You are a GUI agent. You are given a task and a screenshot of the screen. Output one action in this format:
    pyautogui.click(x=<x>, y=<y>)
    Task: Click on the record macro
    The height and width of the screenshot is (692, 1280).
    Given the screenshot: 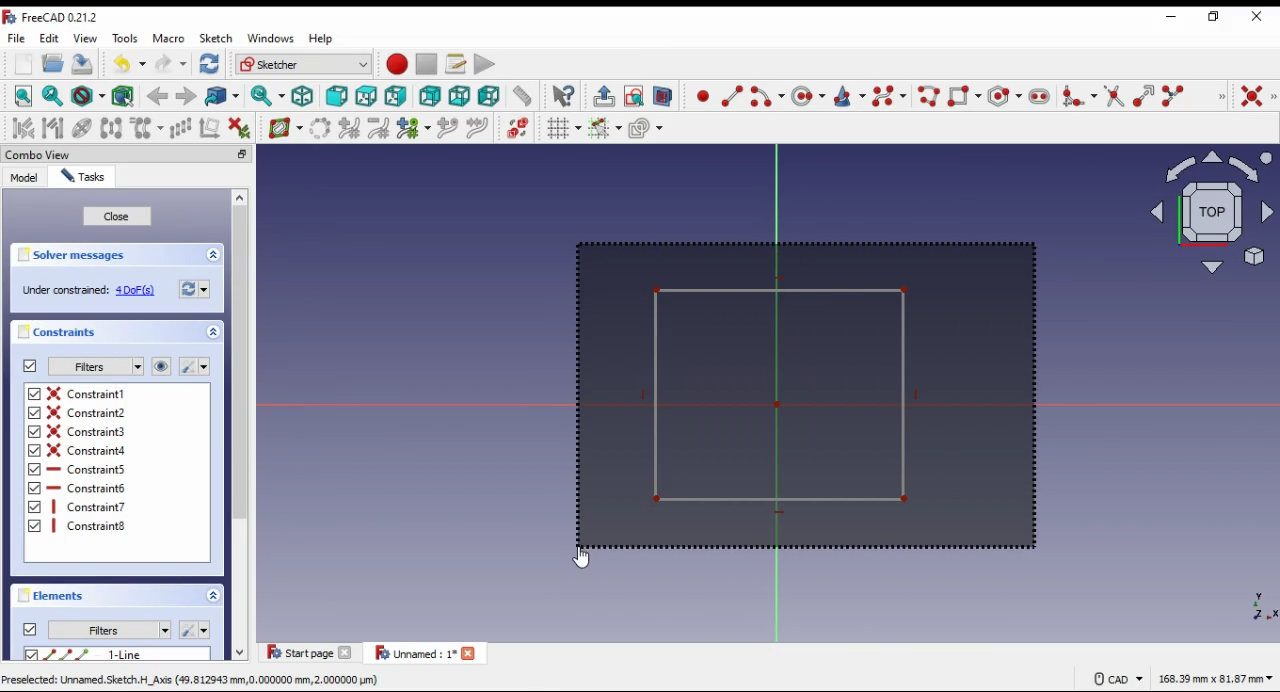 What is the action you would take?
    pyautogui.click(x=396, y=64)
    